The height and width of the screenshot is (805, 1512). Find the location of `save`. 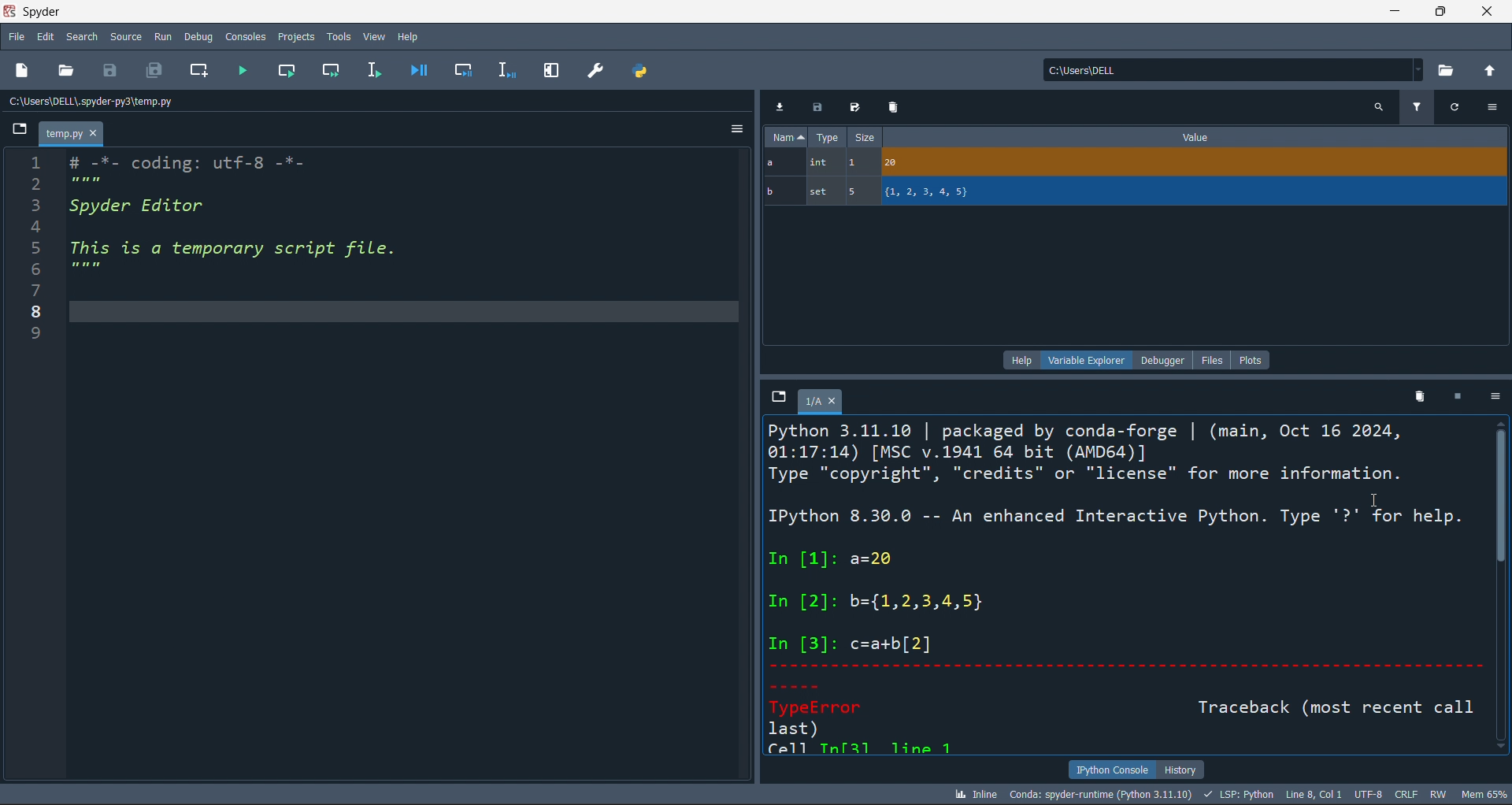

save is located at coordinates (115, 70).